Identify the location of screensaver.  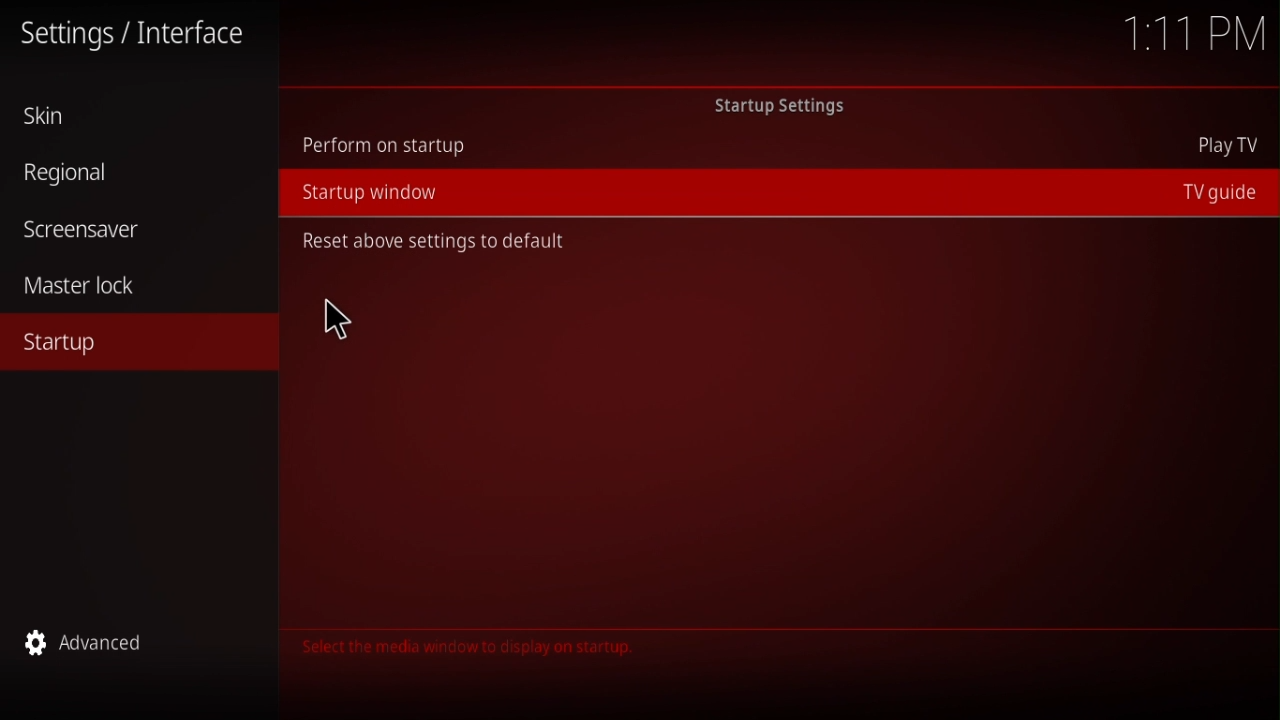
(80, 225).